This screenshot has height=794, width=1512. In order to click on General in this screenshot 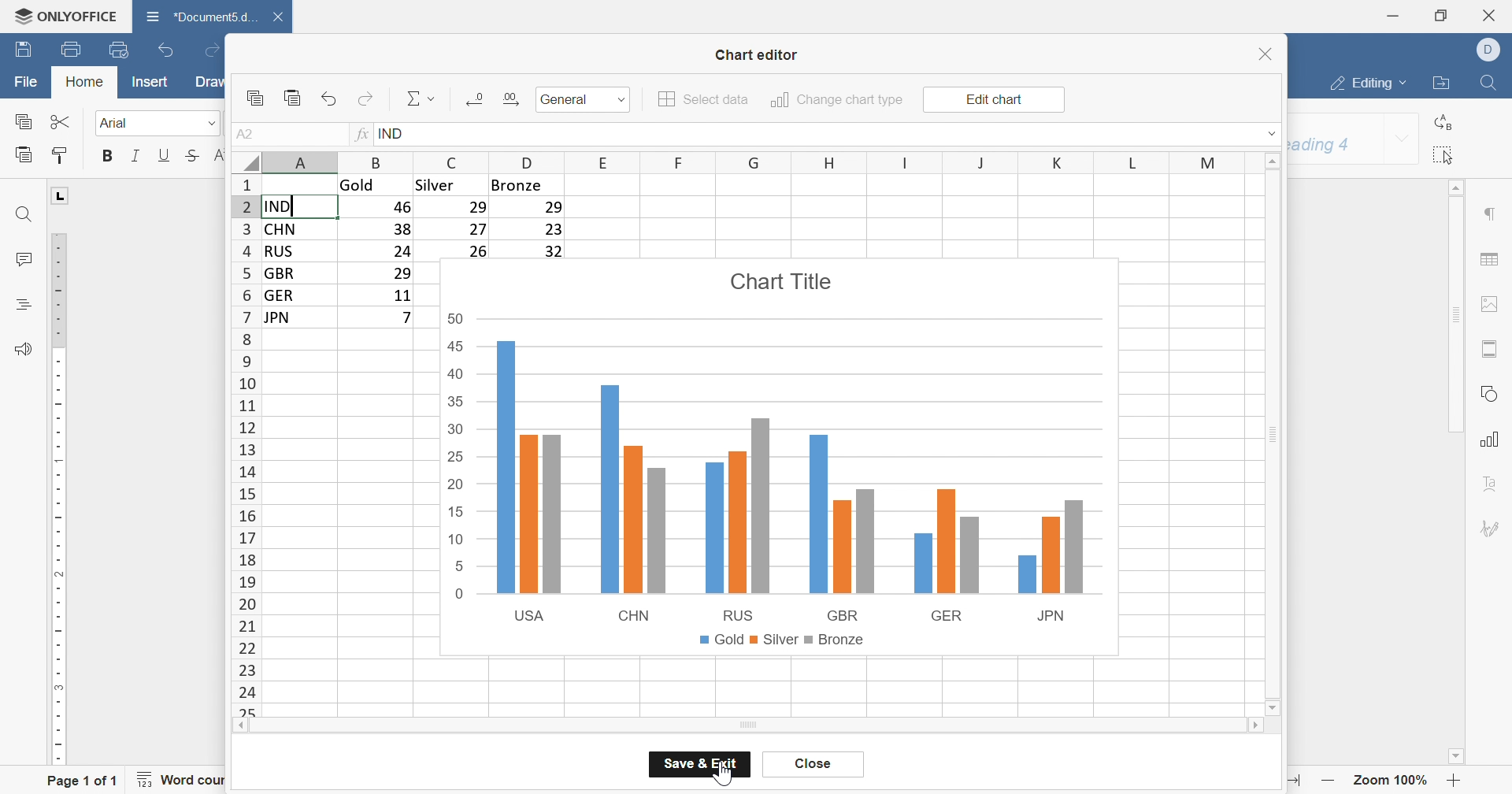, I will do `click(567, 99)`.